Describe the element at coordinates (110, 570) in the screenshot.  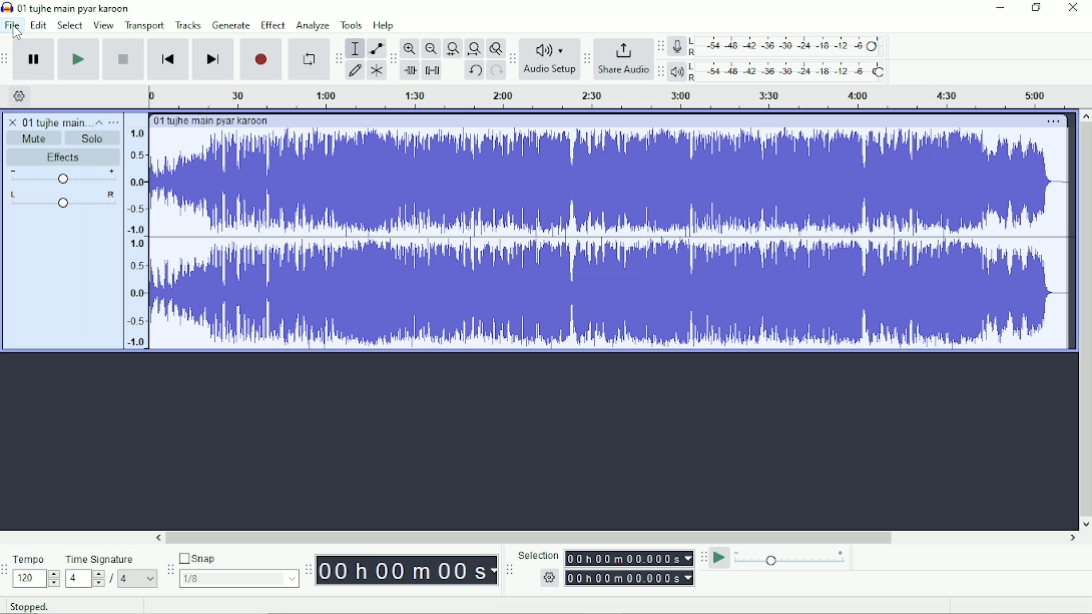
I see `Time Signature` at that location.